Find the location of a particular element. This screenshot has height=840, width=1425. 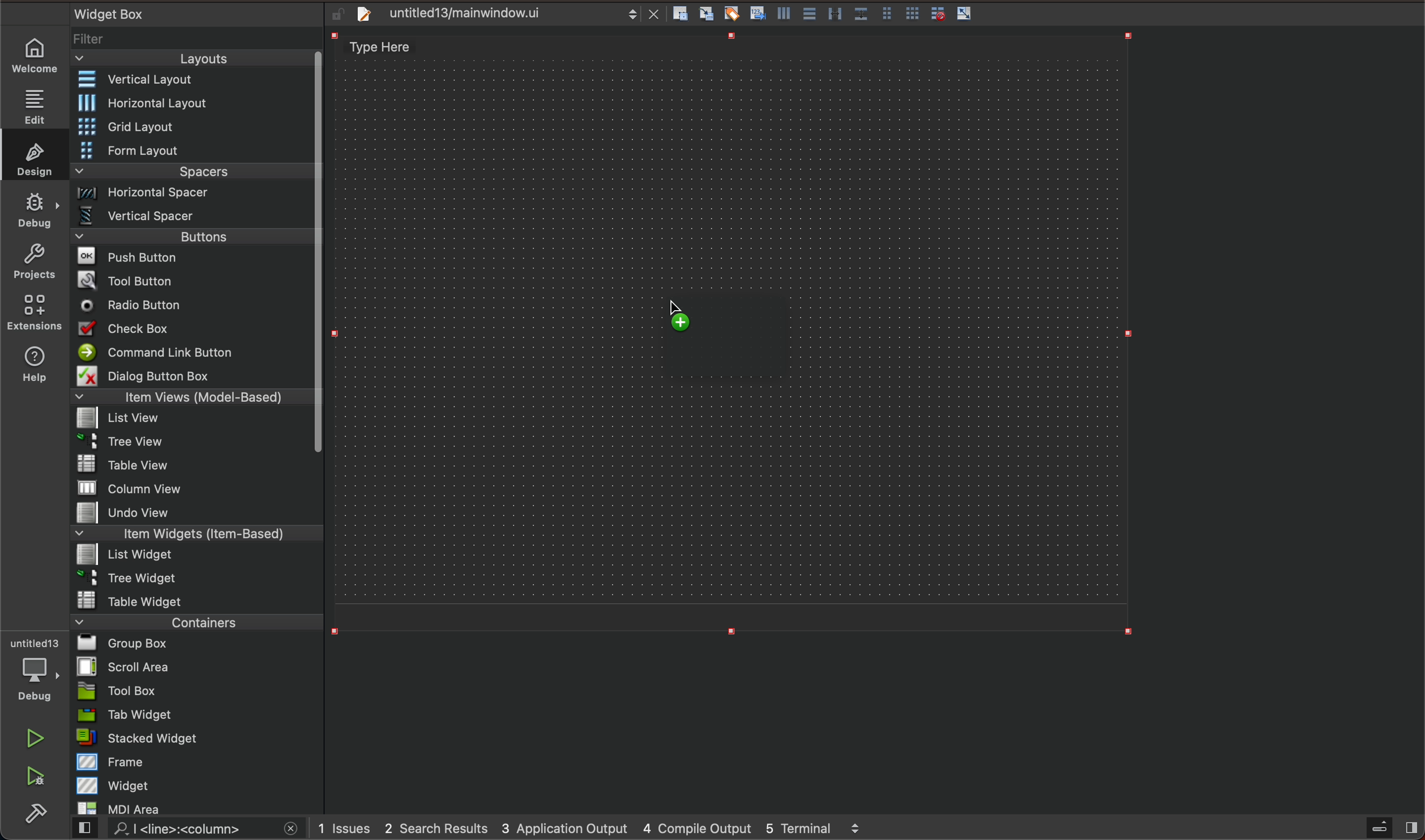

grid layout is located at coordinates (198, 126).